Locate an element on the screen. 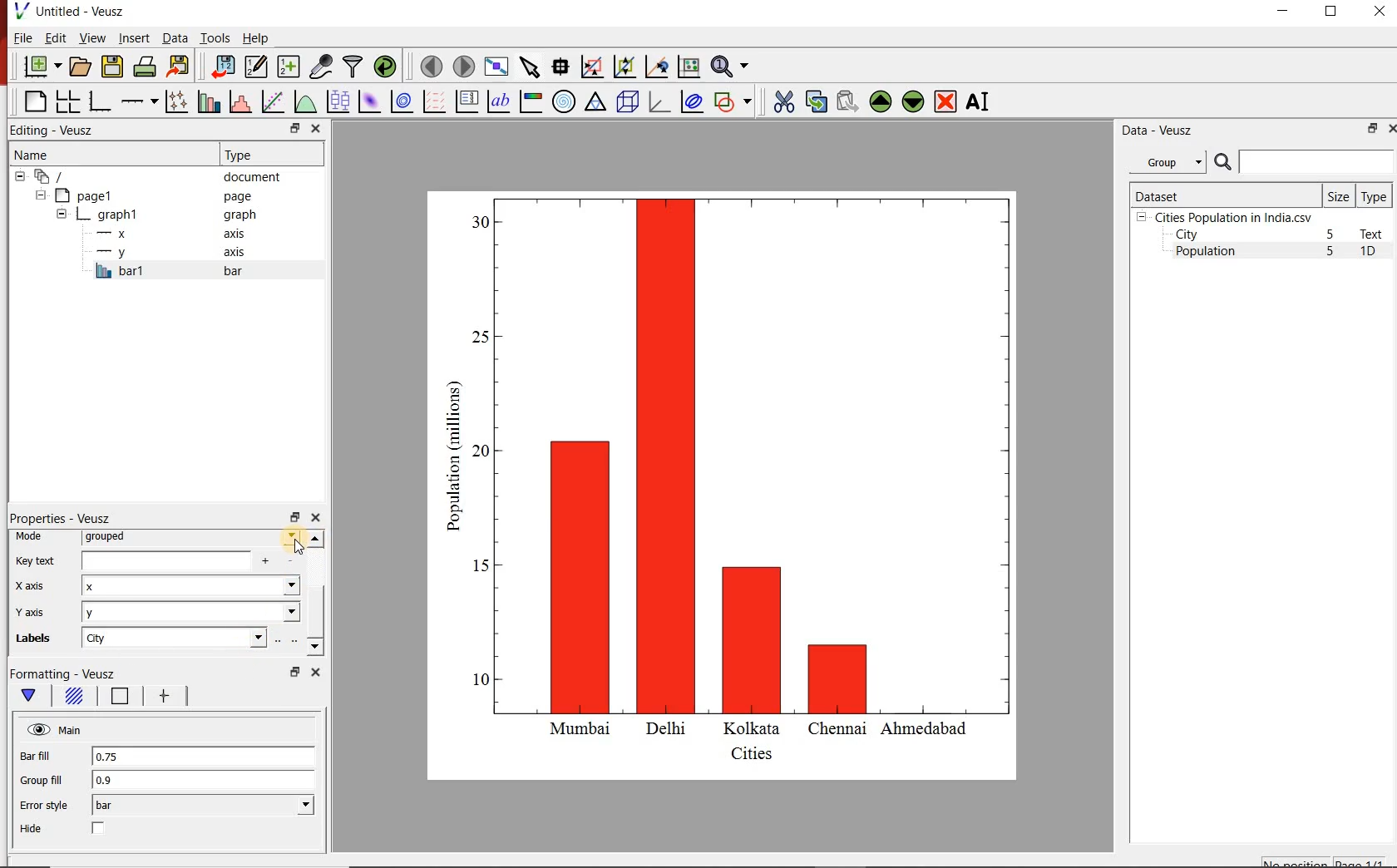 The image size is (1397, 868). Size is located at coordinates (1339, 195).